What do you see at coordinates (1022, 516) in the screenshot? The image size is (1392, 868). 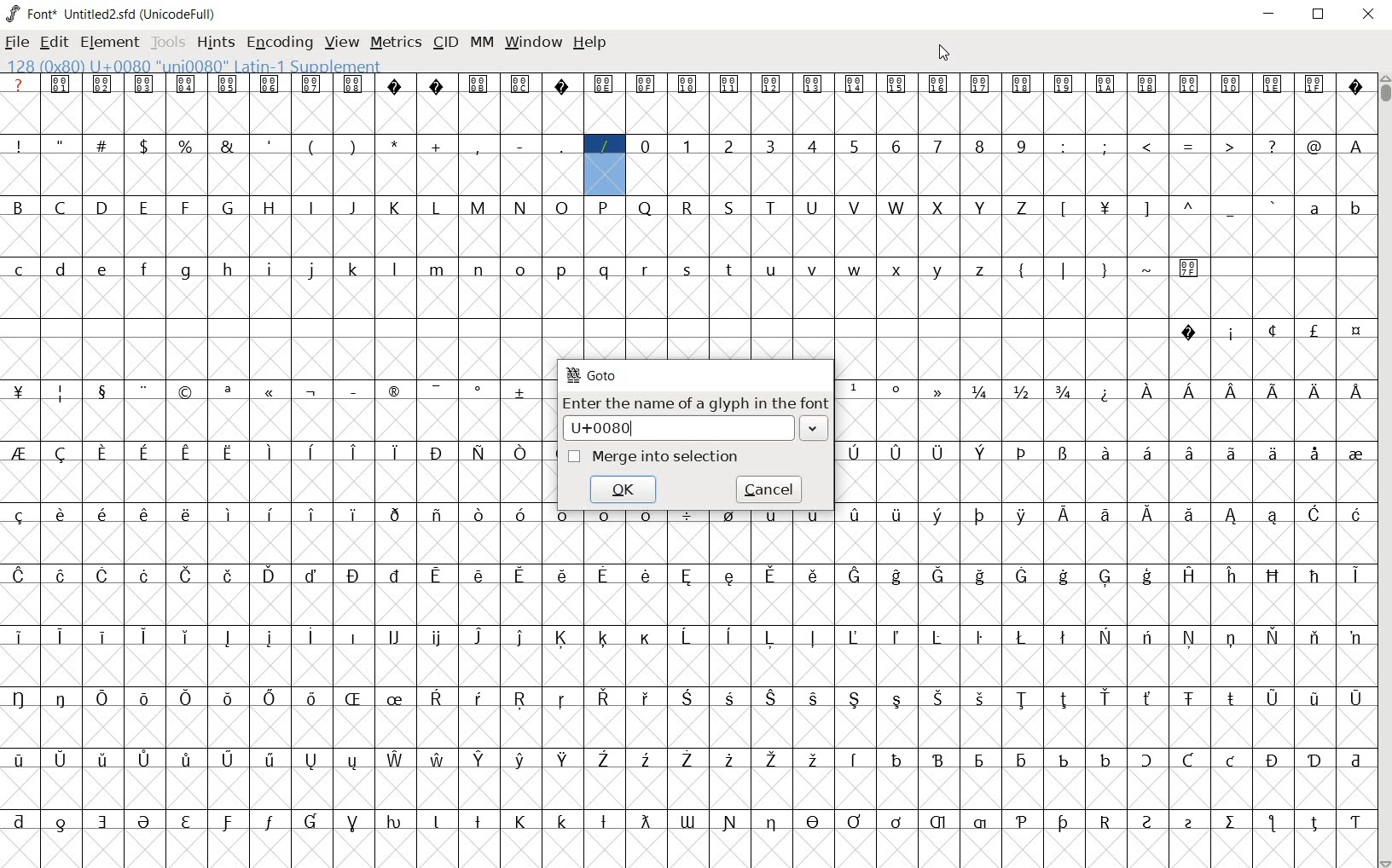 I see `glyph` at bounding box center [1022, 516].